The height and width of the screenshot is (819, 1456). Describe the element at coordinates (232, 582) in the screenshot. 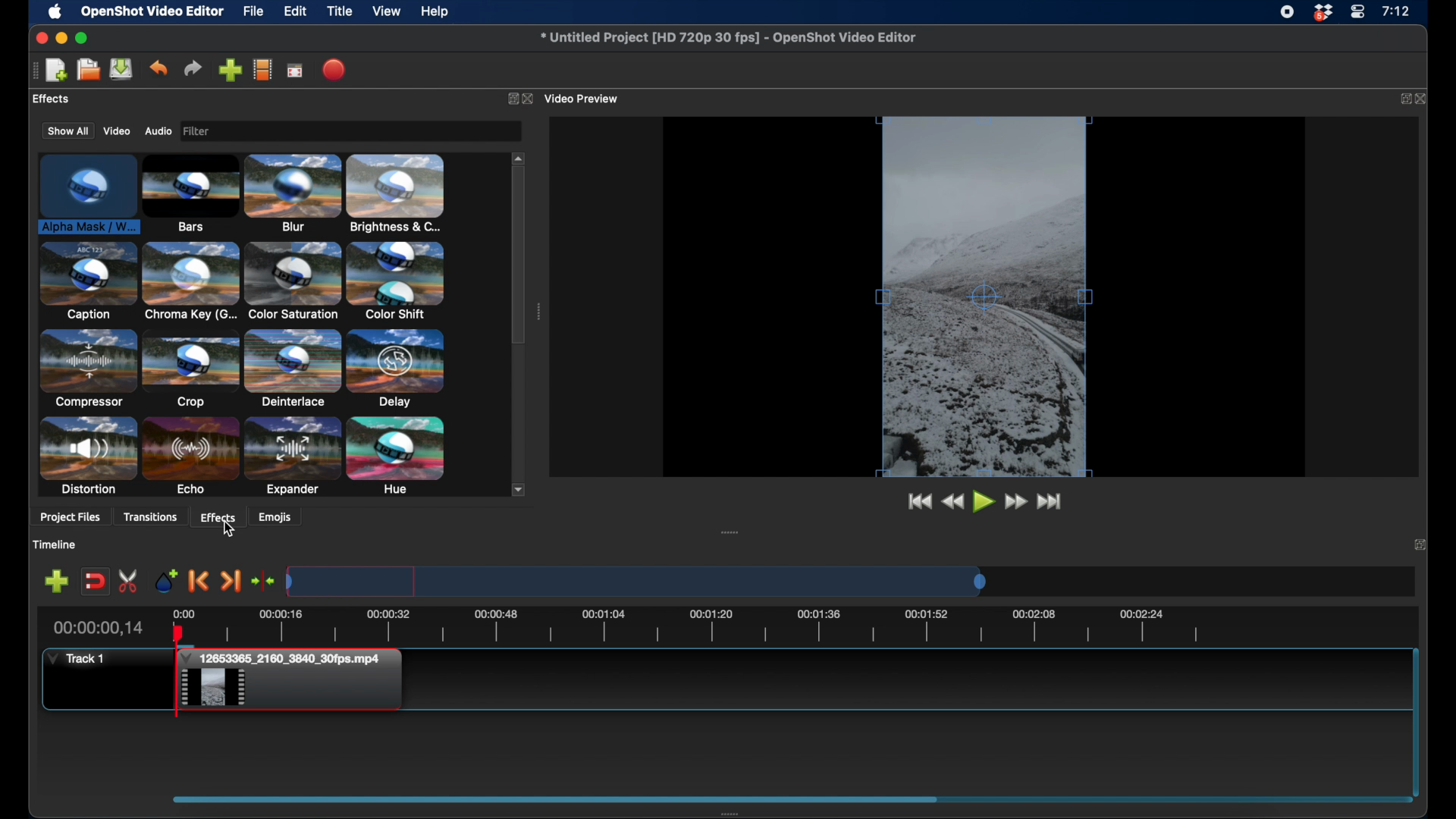

I see `next marker` at that location.